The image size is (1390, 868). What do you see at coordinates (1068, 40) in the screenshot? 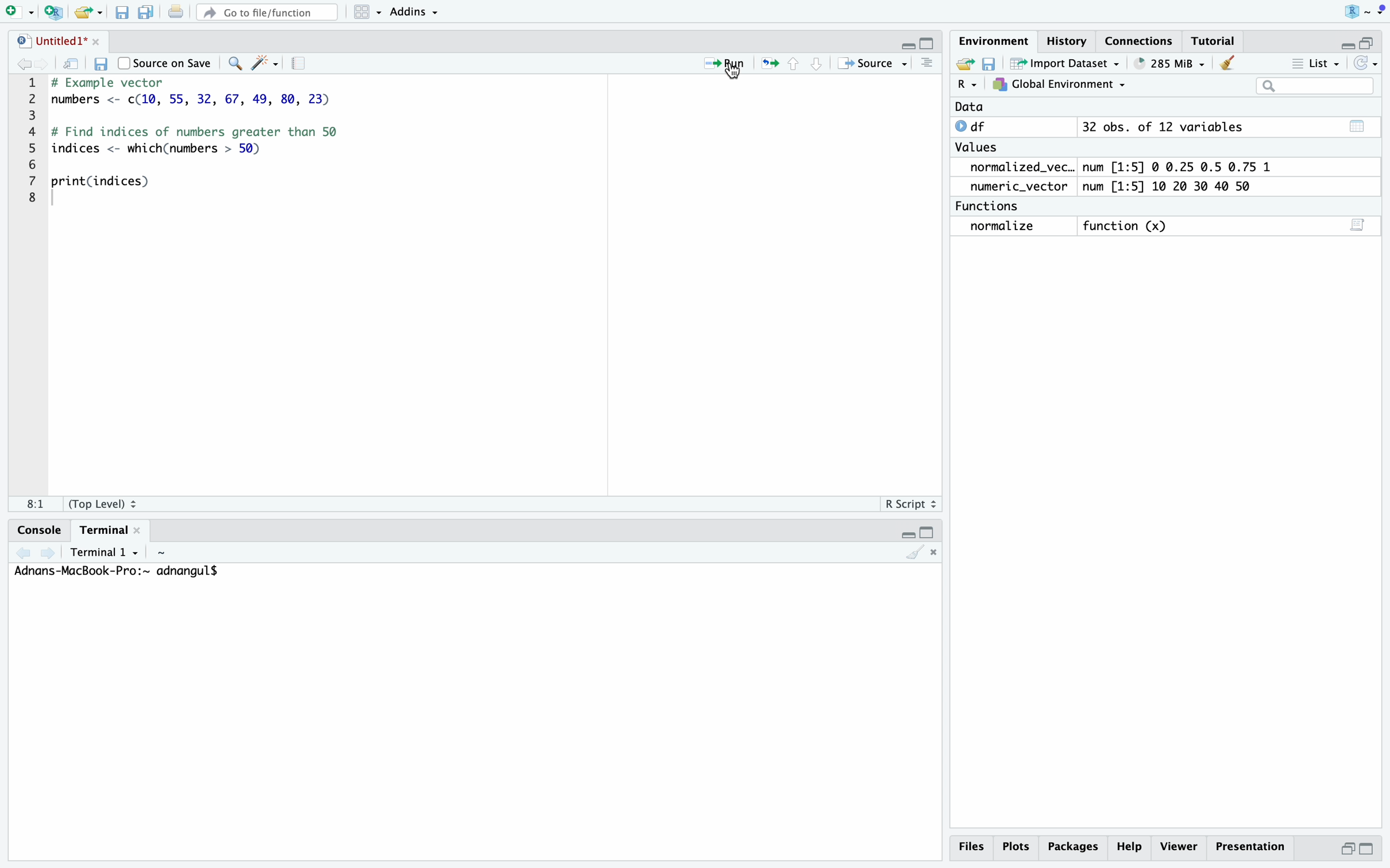
I see `History` at bounding box center [1068, 40].